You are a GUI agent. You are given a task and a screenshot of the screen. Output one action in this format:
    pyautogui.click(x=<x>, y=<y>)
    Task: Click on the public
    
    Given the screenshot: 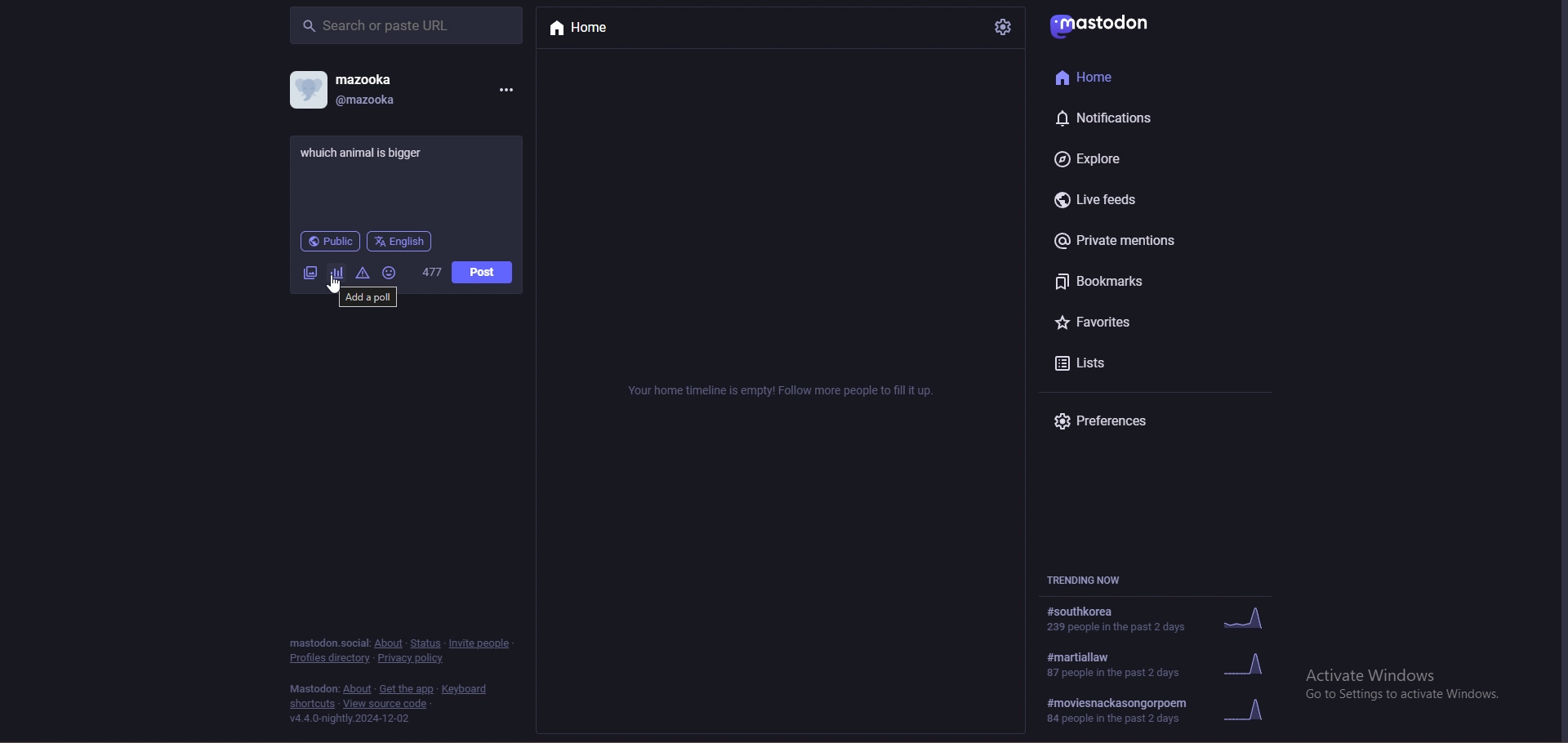 What is the action you would take?
    pyautogui.click(x=331, y=241)
    